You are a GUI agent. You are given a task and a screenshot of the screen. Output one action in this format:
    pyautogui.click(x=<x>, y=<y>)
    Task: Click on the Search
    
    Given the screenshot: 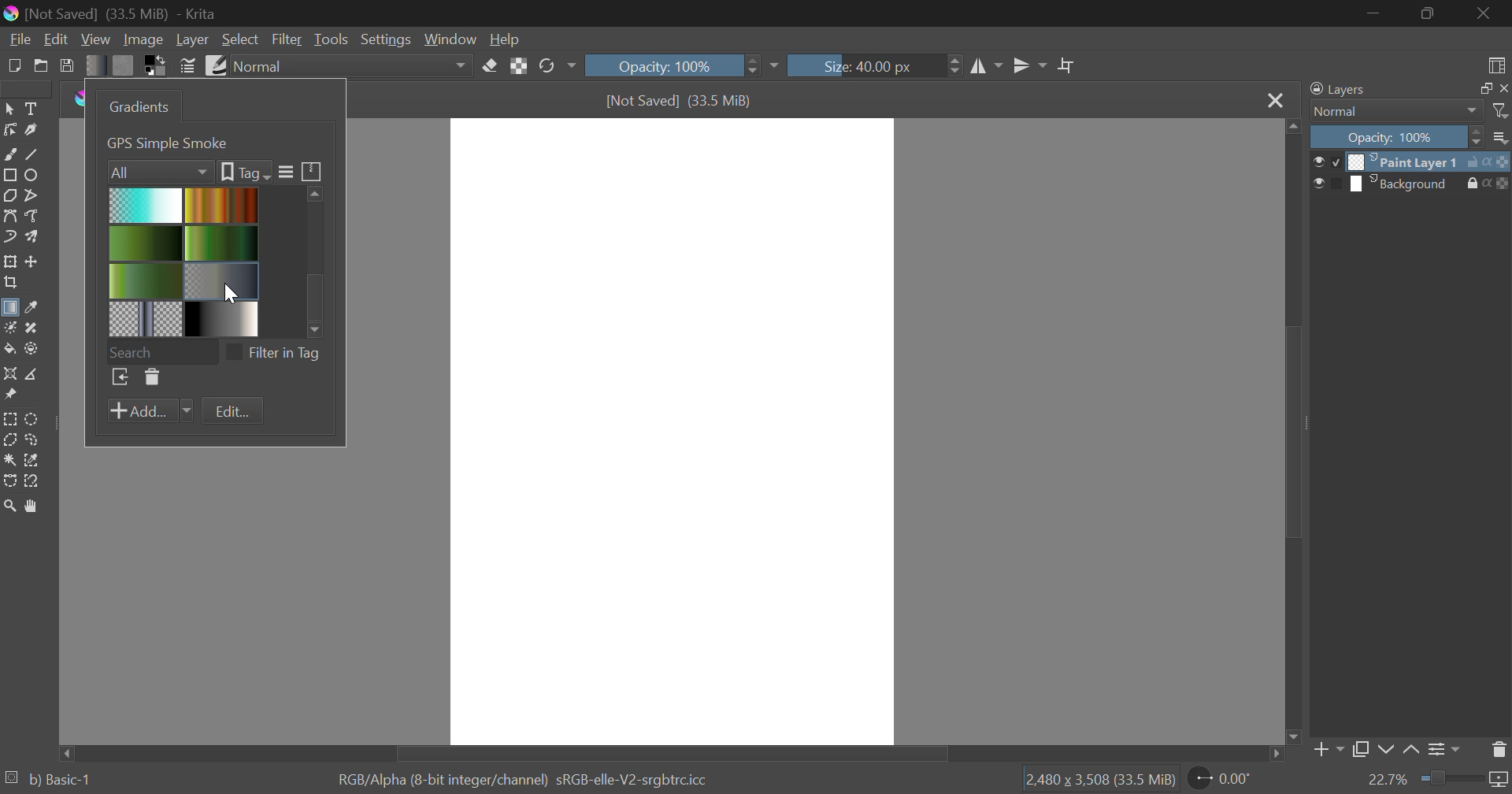 What is the action you would take?
    pyautogui.click(x=161, y=350)
    